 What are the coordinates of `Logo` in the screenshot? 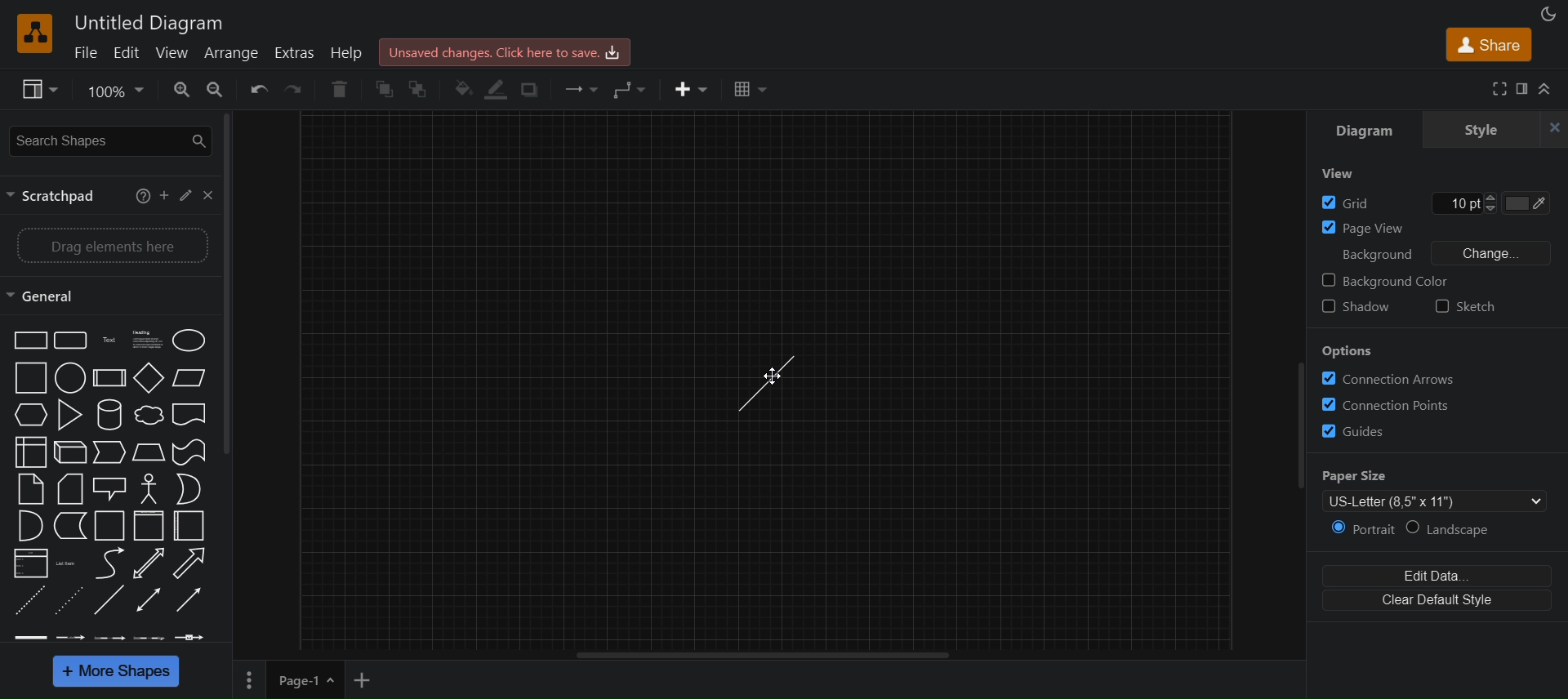 It's located at (38, 32).